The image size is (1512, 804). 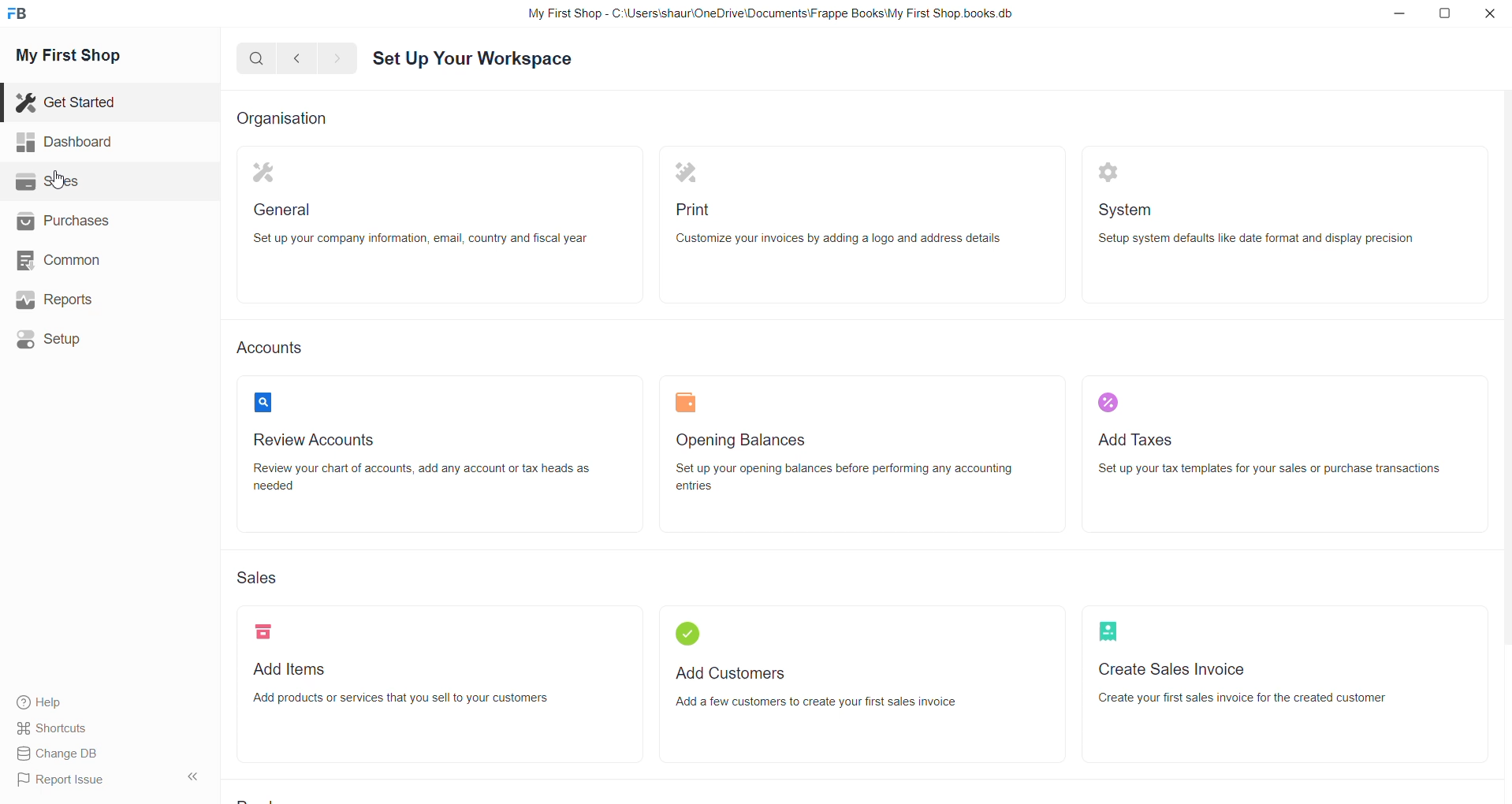 What do you see at coordinates (1488, 14) in the screenshot?
I see `close` at bounding box center [1488, 14].